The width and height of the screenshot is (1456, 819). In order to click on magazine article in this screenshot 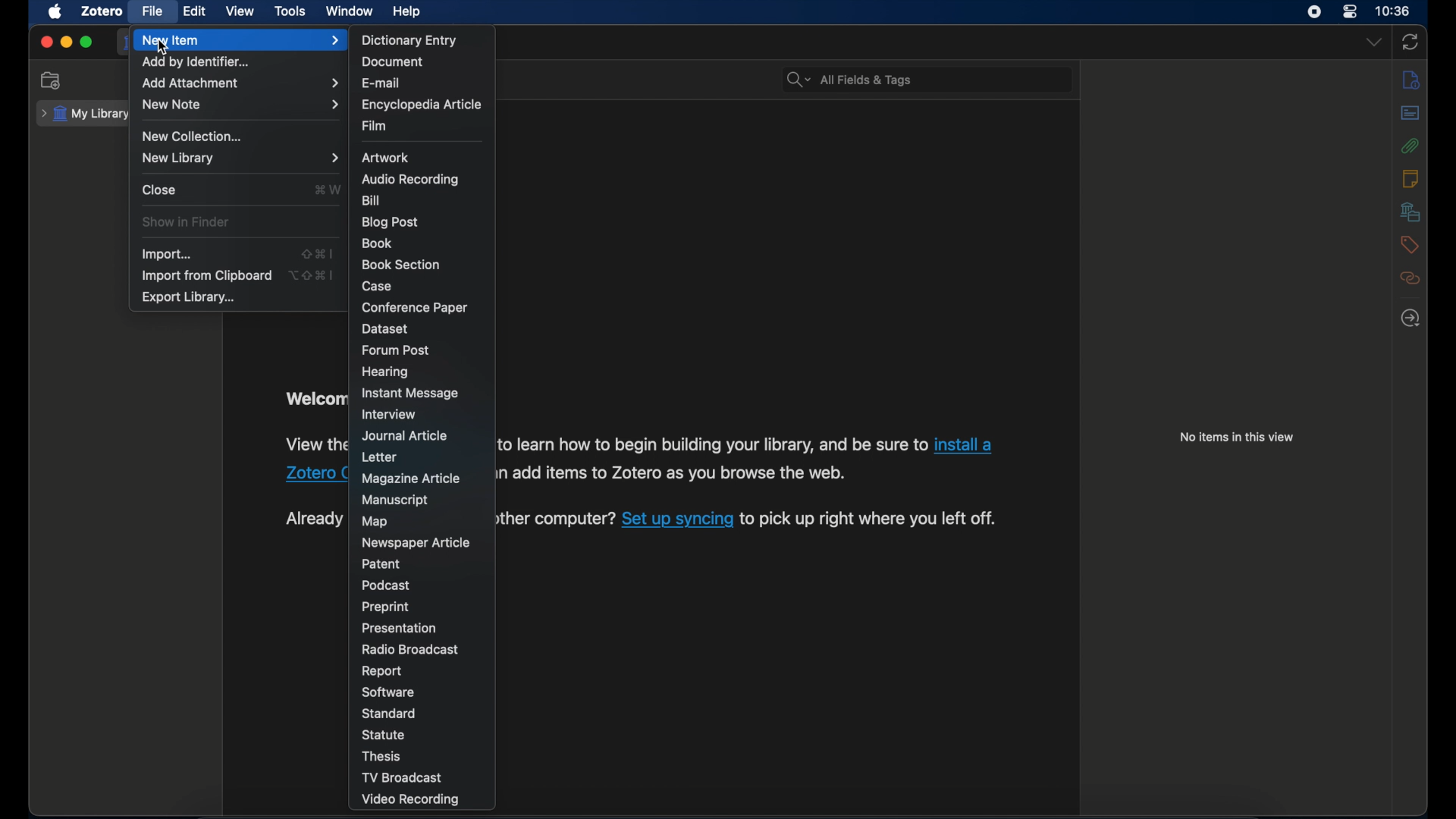, I will do `click(413, 479)`.